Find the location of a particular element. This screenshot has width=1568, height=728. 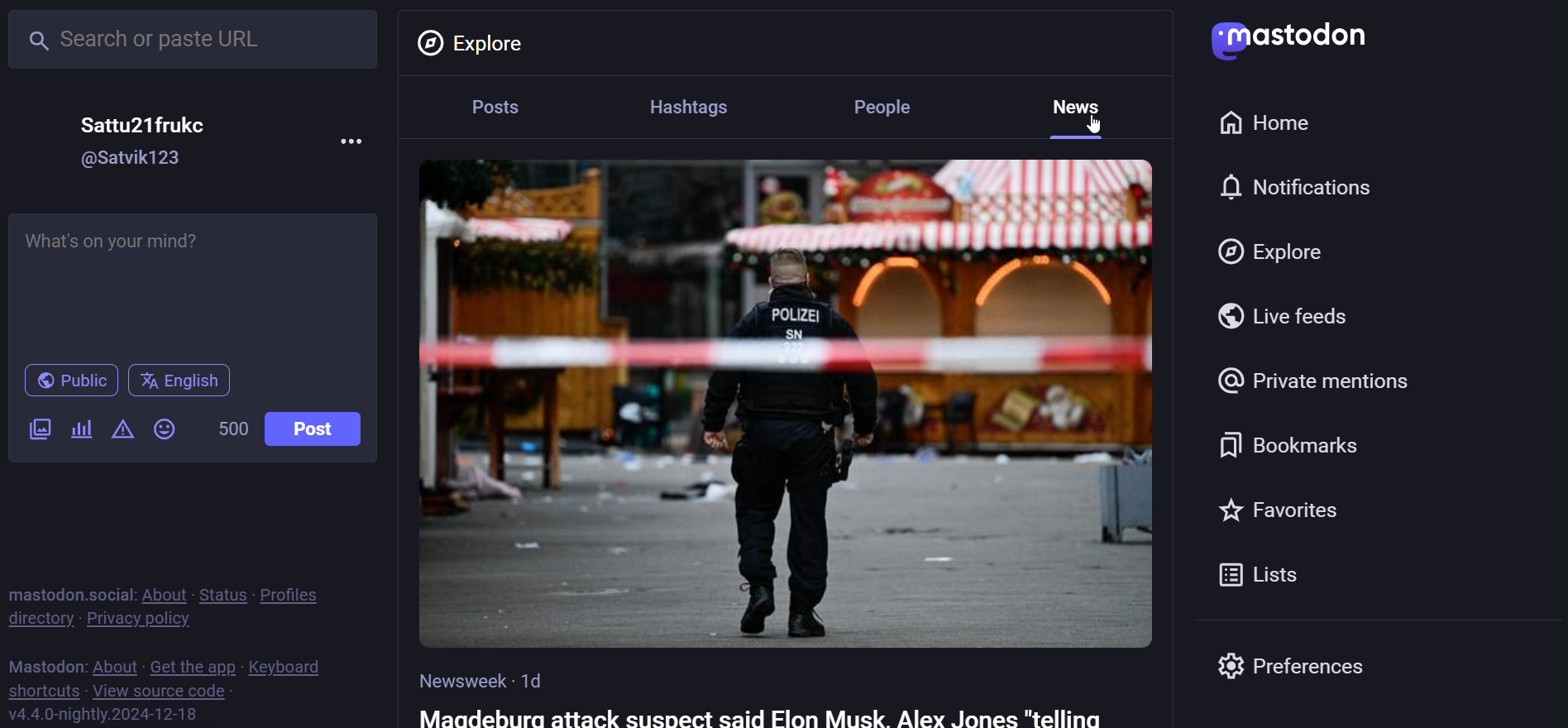

hashtag is located at coordinates (692, 105).